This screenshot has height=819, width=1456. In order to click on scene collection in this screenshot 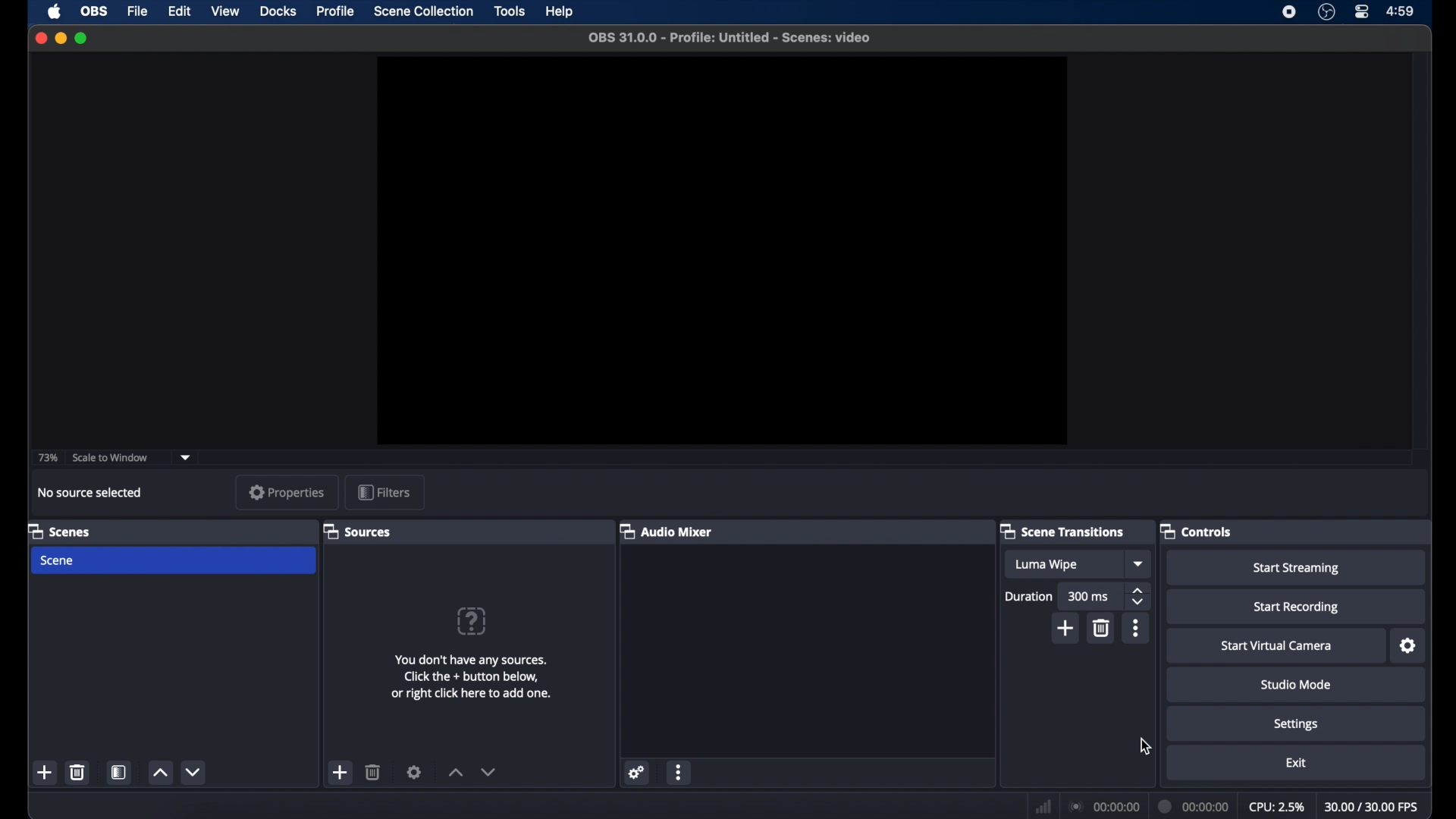, I will do `click(422, 11)`.